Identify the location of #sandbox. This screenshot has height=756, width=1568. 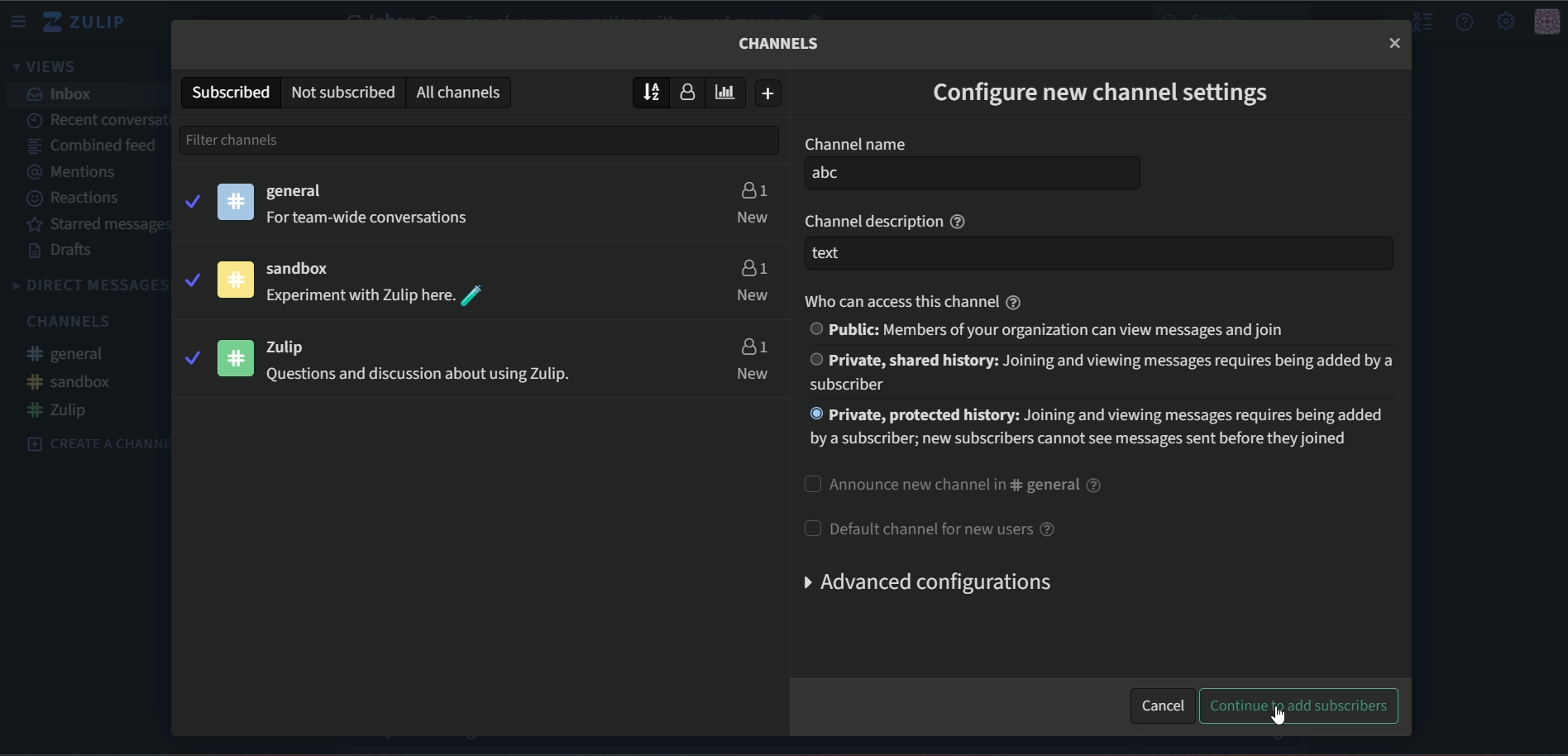
(70, 381).